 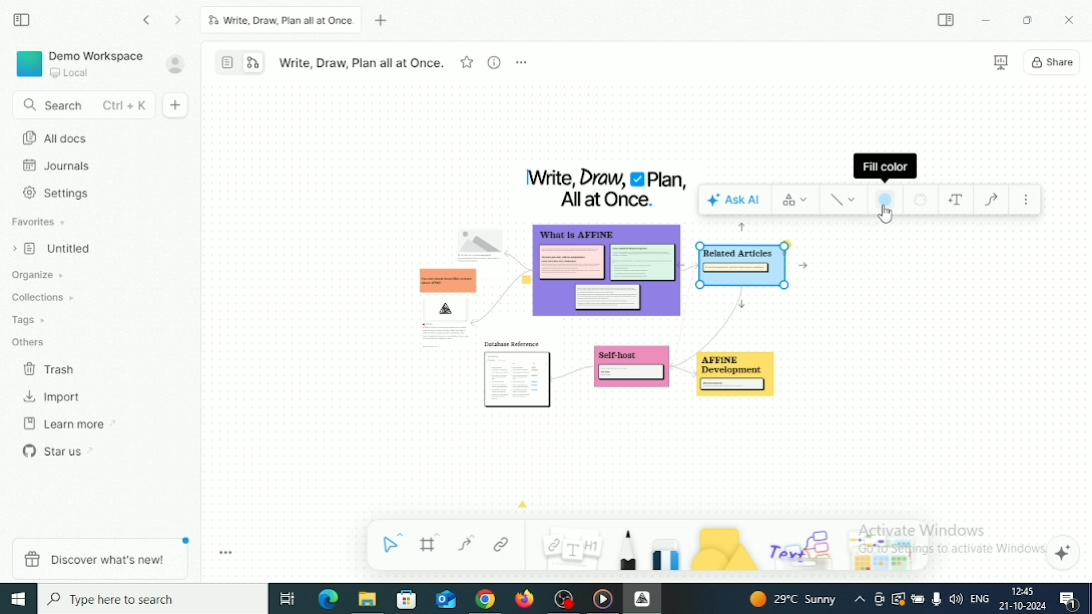 I want to click on Style, so click(x=844, y=200).